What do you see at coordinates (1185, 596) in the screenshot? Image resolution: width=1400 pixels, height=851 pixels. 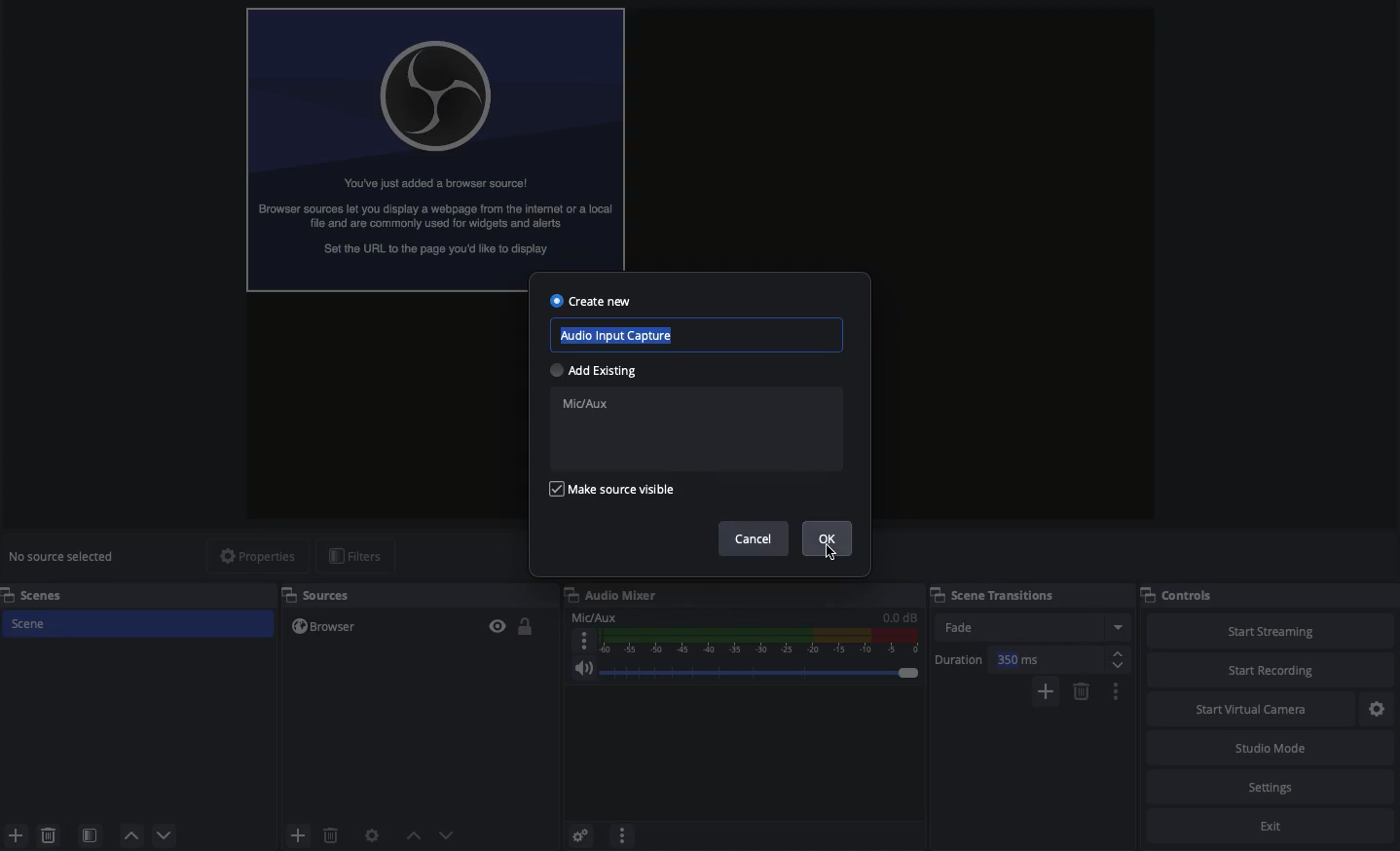 I see `Controls` at bounding box center [1185, 596].